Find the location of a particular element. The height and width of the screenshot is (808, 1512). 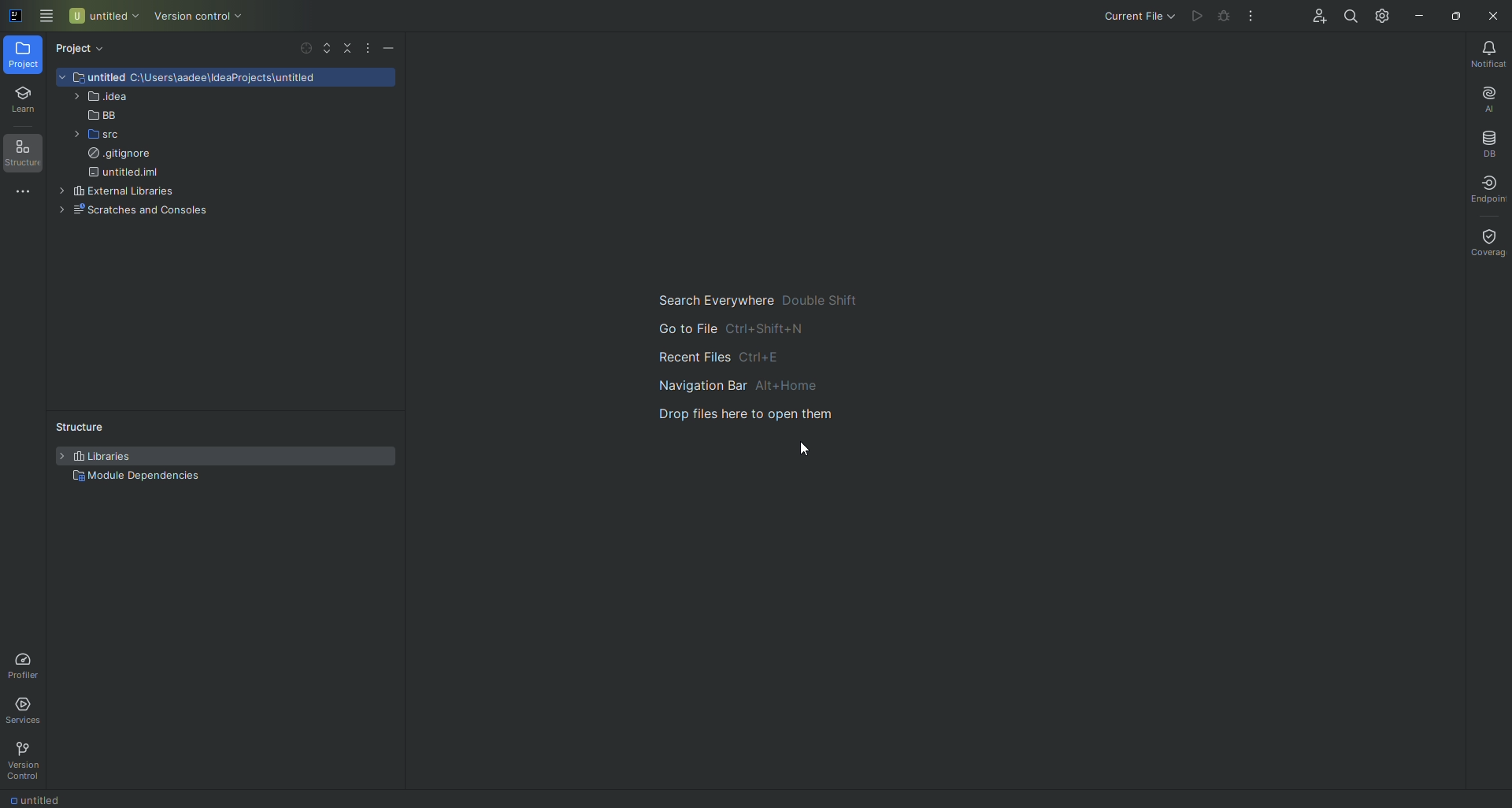

More Tools is located at coordinates (20, 197).